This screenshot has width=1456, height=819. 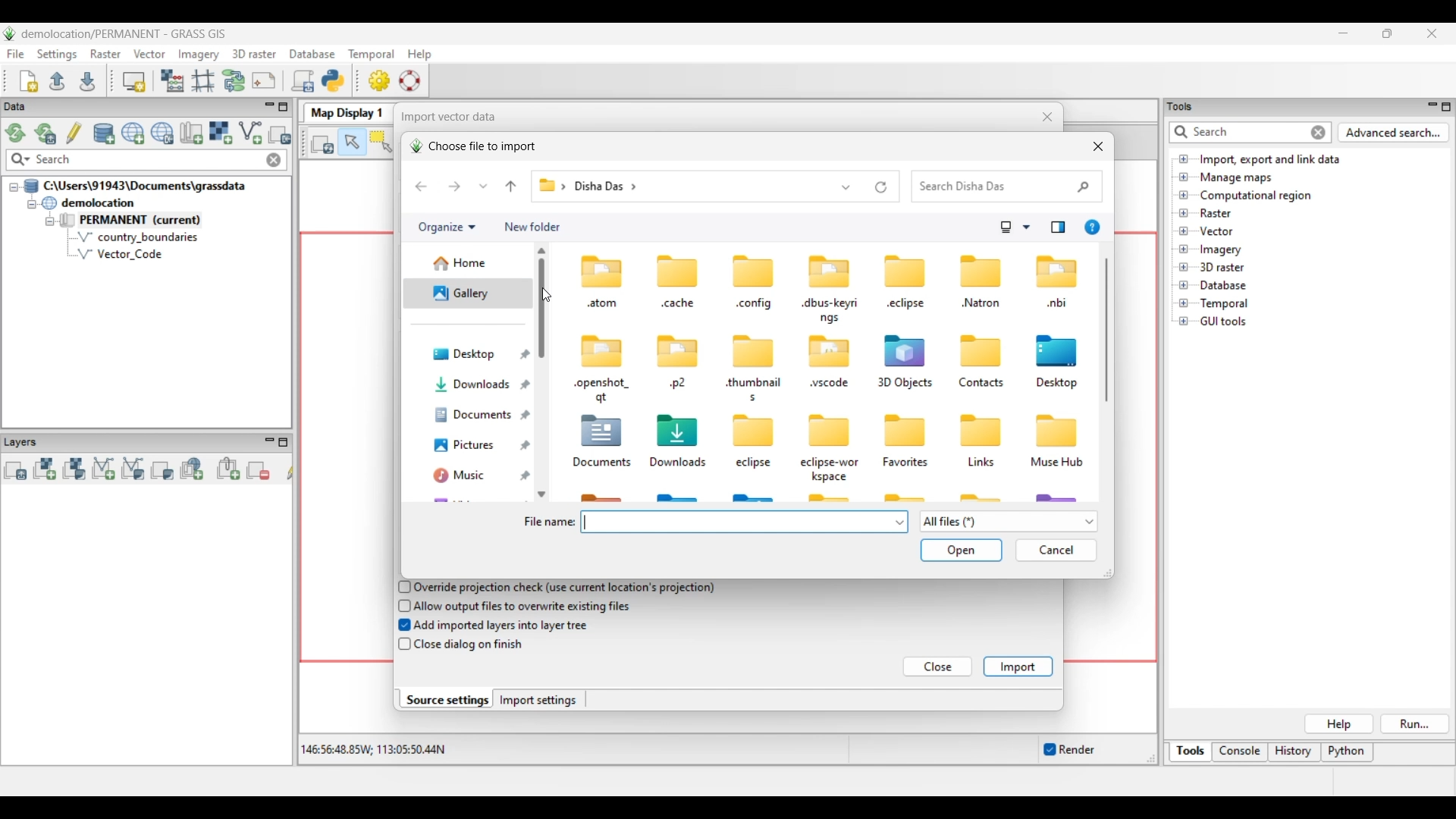 What do you see at coordinates (1057, 429) in the screenshot?
I see `icon` at bounding box center [1057, 429].